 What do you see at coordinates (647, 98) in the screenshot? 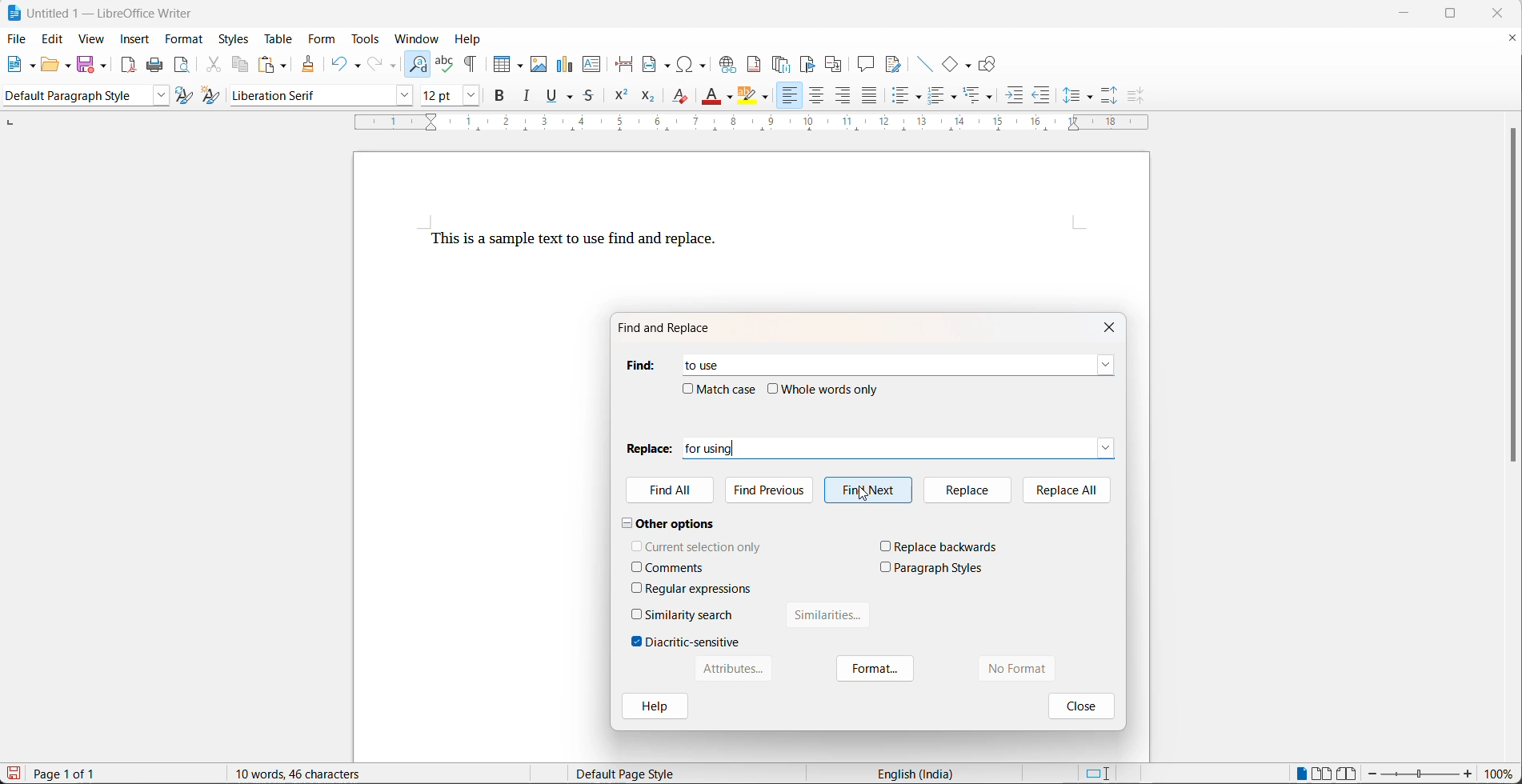
I see `subscript` at bounding box center [647, 98].